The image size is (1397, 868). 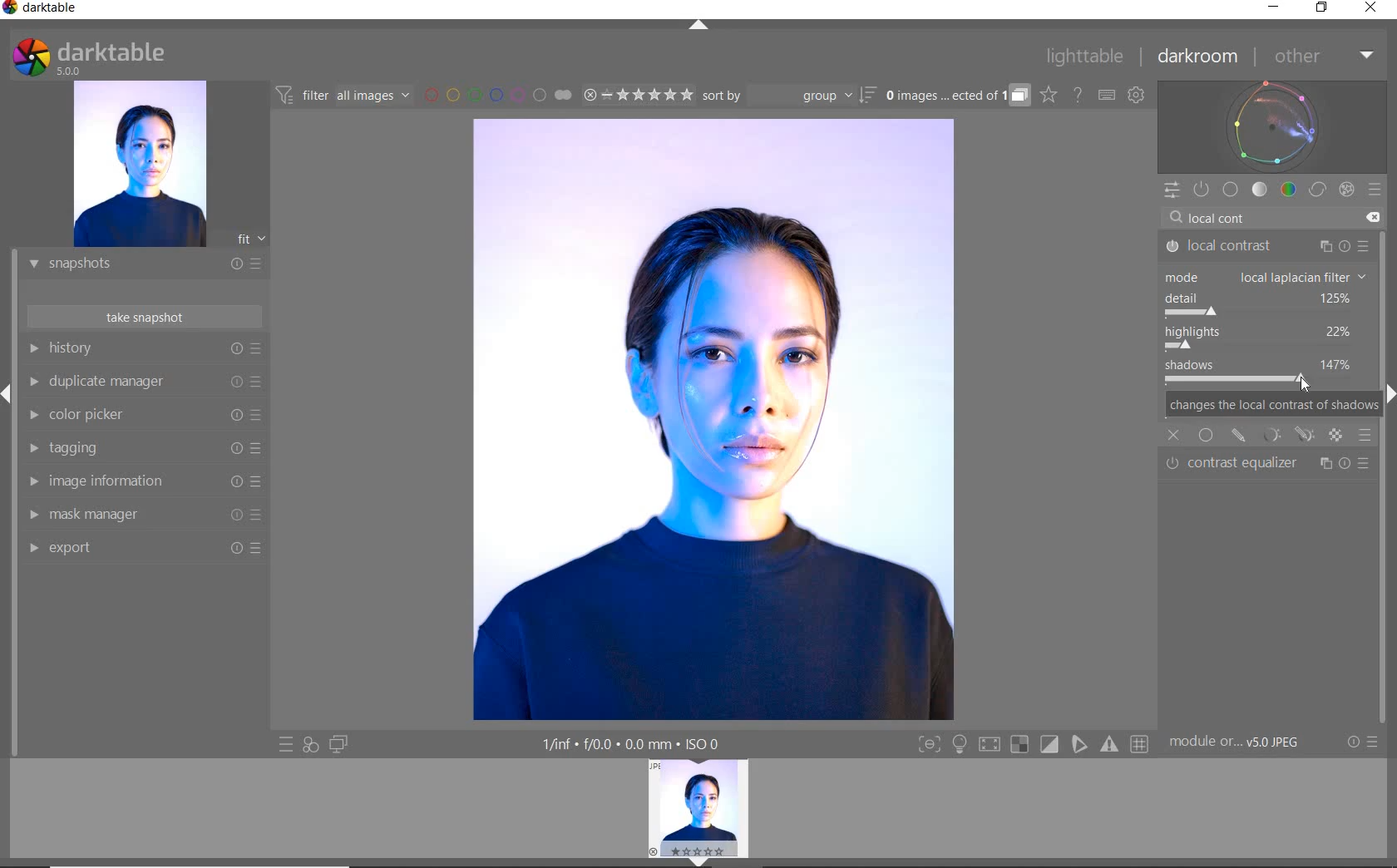 I want to click on MODULE...v5.0 JPEG, so click(x=1246, y=742).